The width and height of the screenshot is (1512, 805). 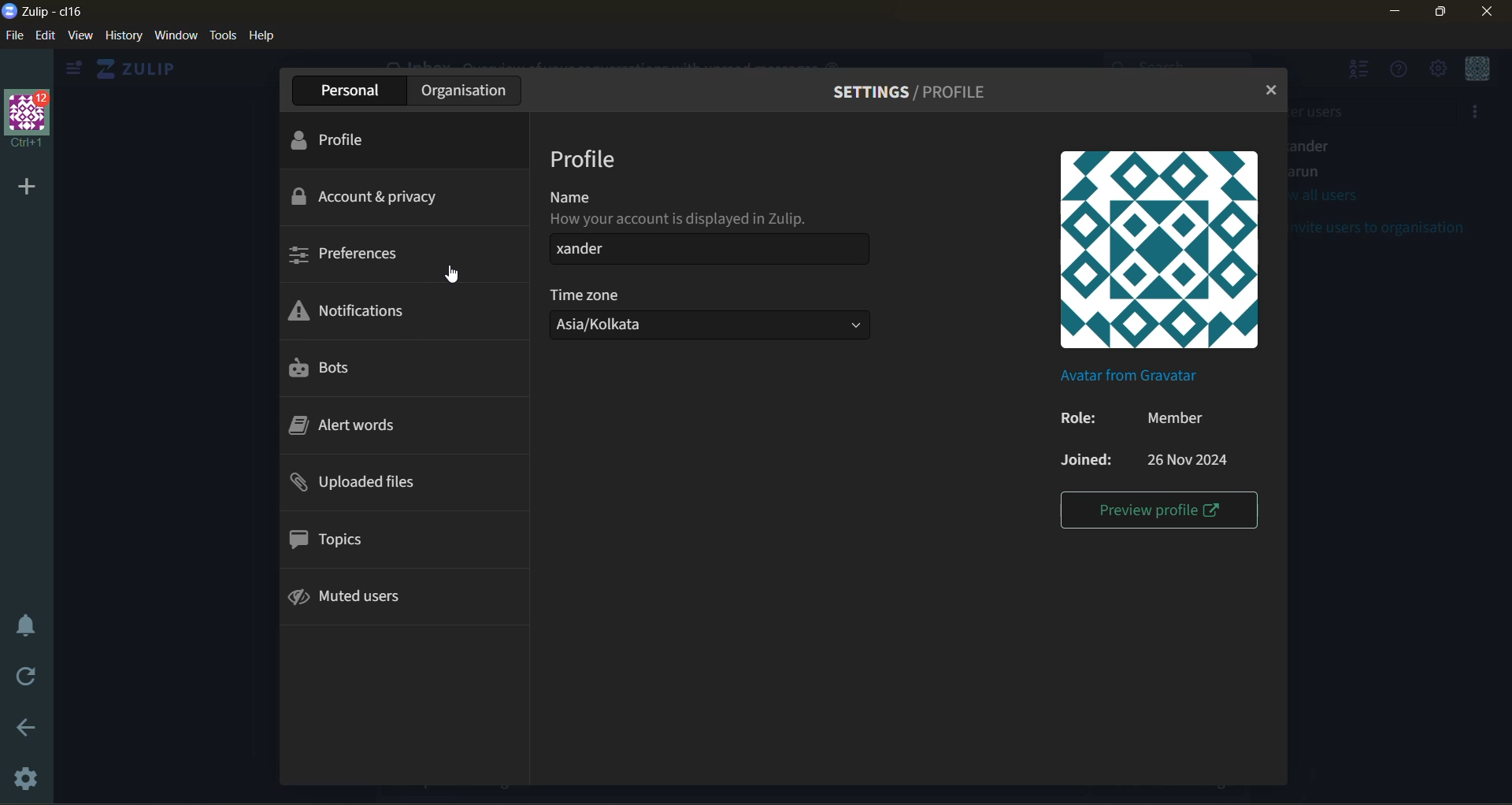 What do you see at coordinates (145, 69) in the screenshot?
I see `home` at bounding box center [145, 69].